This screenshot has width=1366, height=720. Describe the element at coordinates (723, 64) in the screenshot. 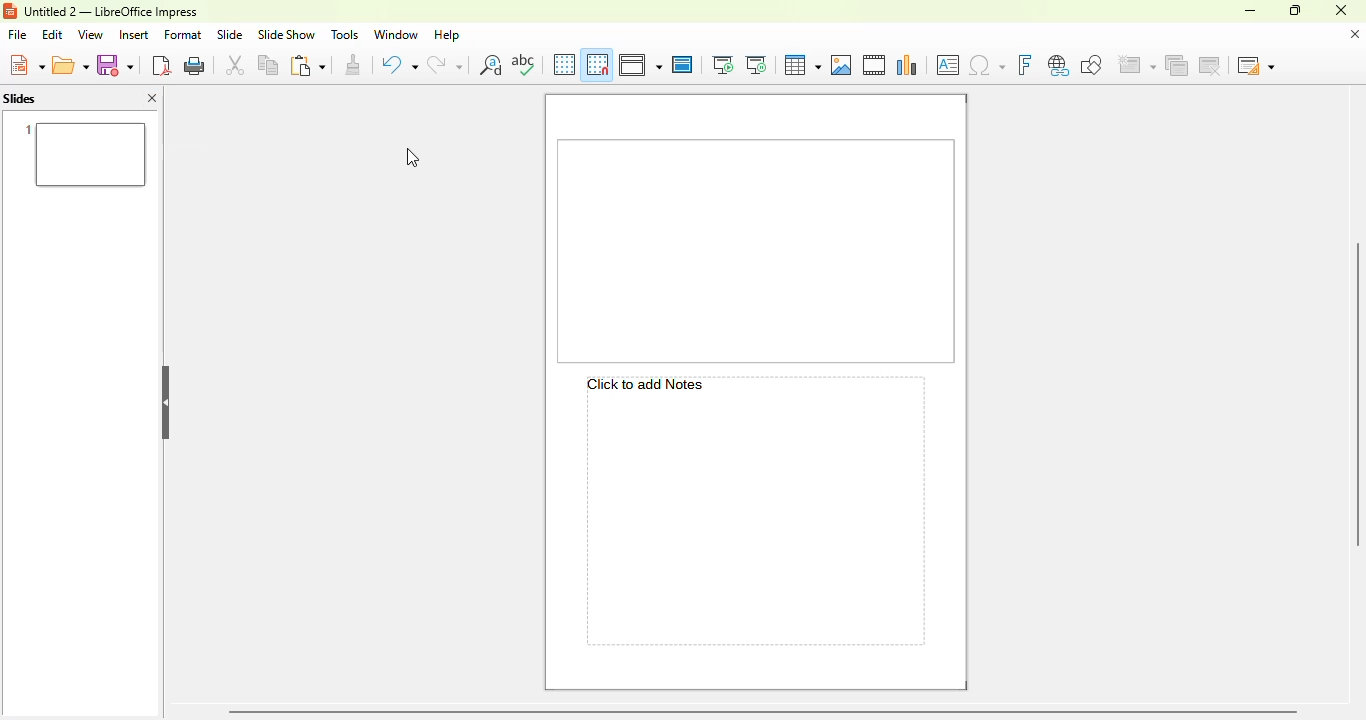

I see `start from first slide` at that location.